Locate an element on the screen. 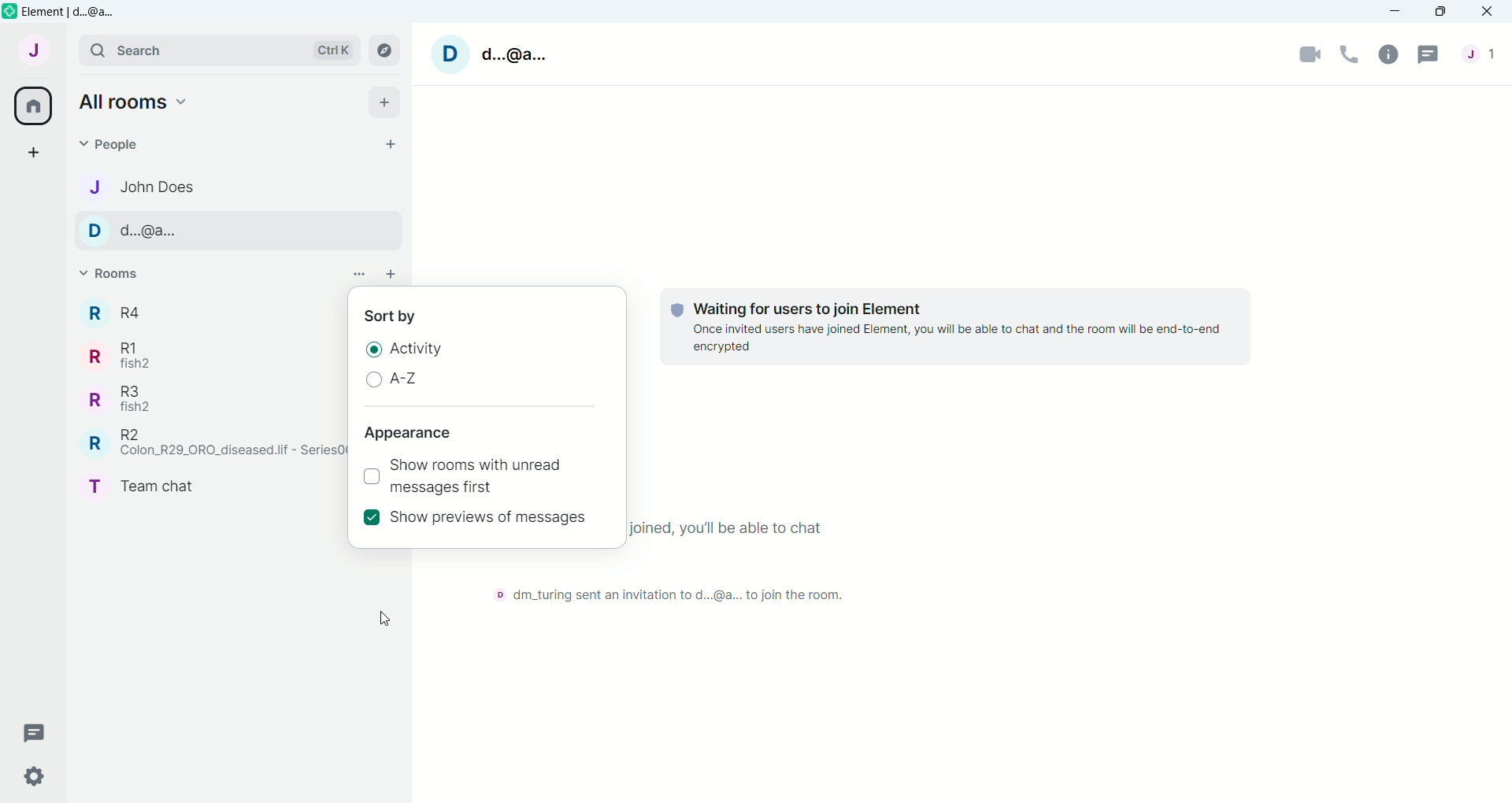  R R4 is located at coordinates (118, 312).